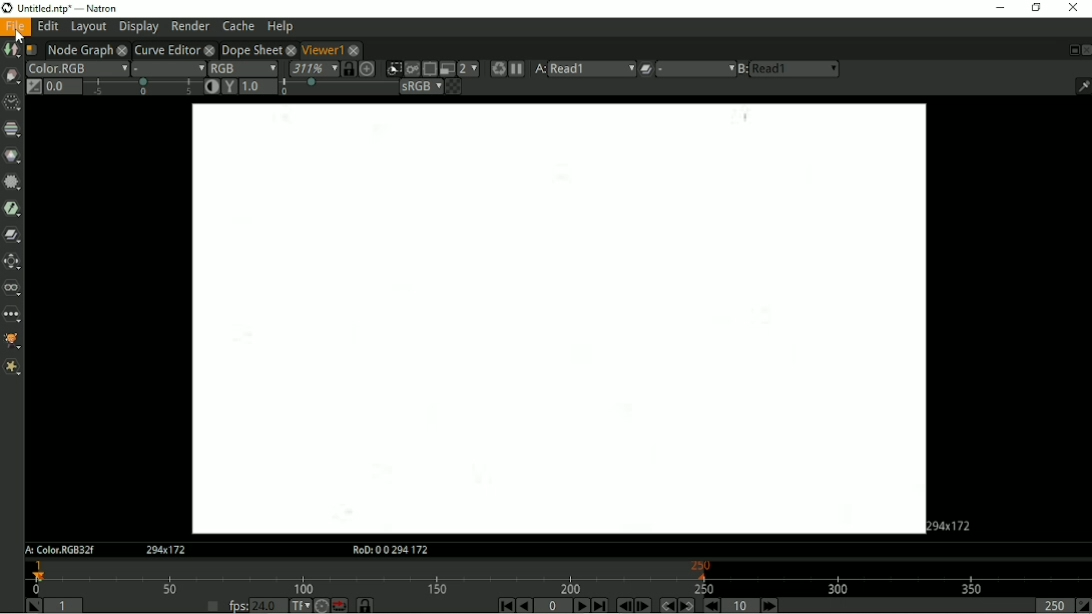 This screenshot has height=614, width=1092. What do you see at coordinates (321, 48) in the screenshot?
I see `Viewer1` at bounding box center [321, 48].